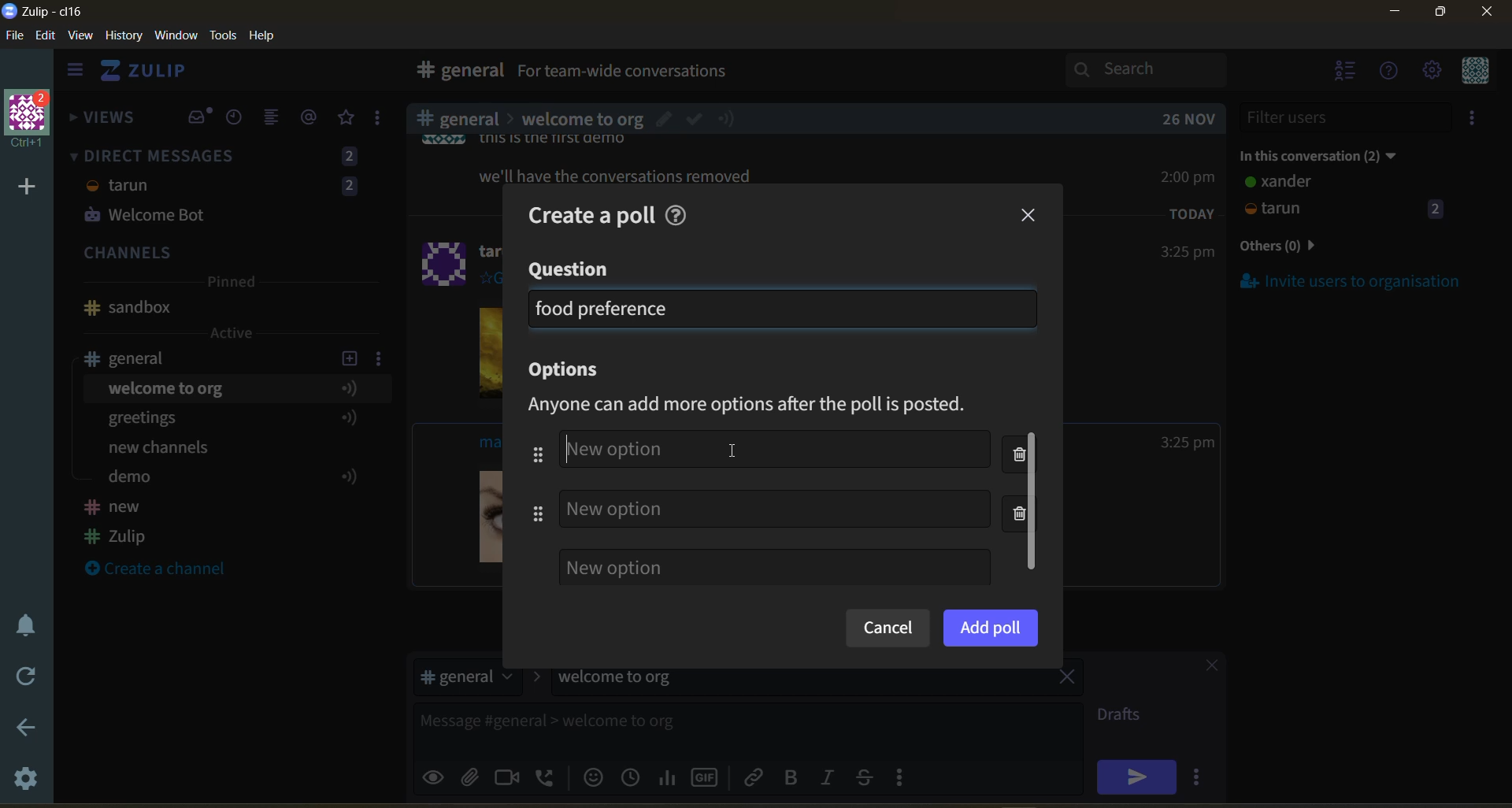 This screenshot has width=1512, height=808. What do you see at coordinates (1025, 487) in the screenshot?
I see `delete` at bounding box center [1025, 487].